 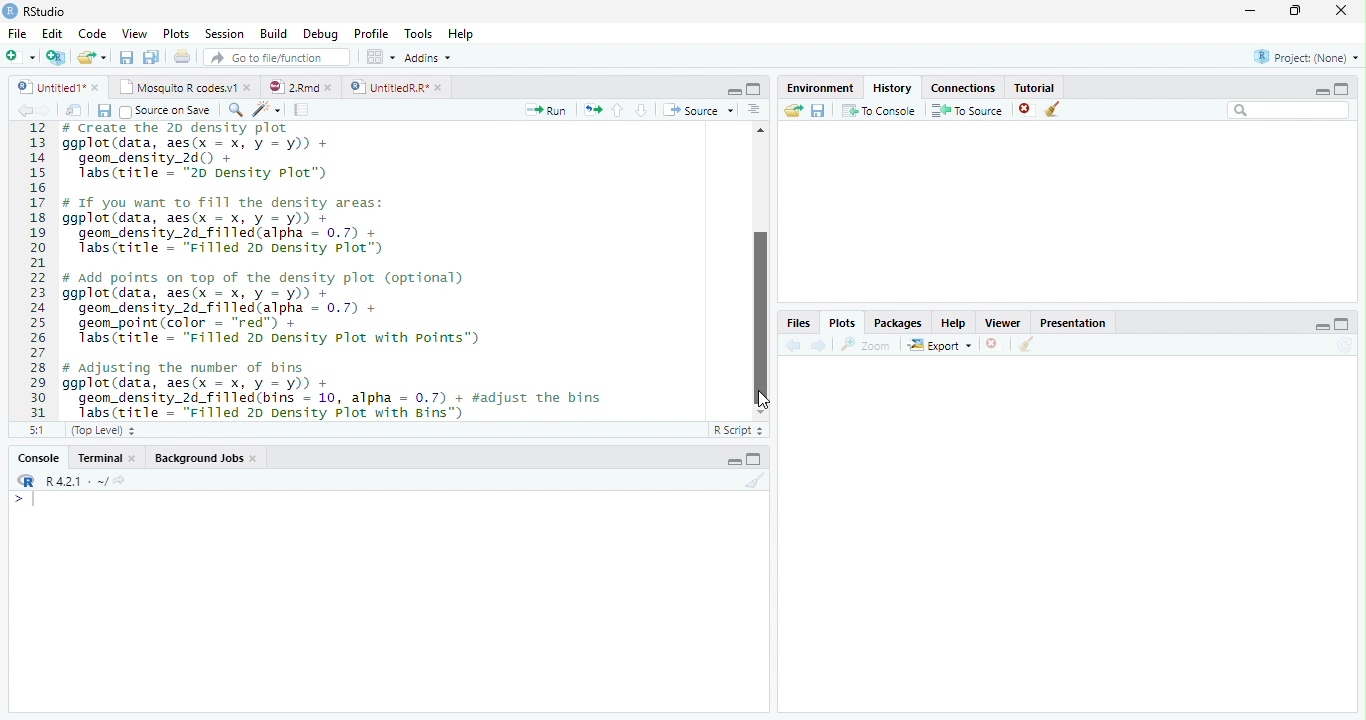 I want to click on Help, so click(x=953, y=325).